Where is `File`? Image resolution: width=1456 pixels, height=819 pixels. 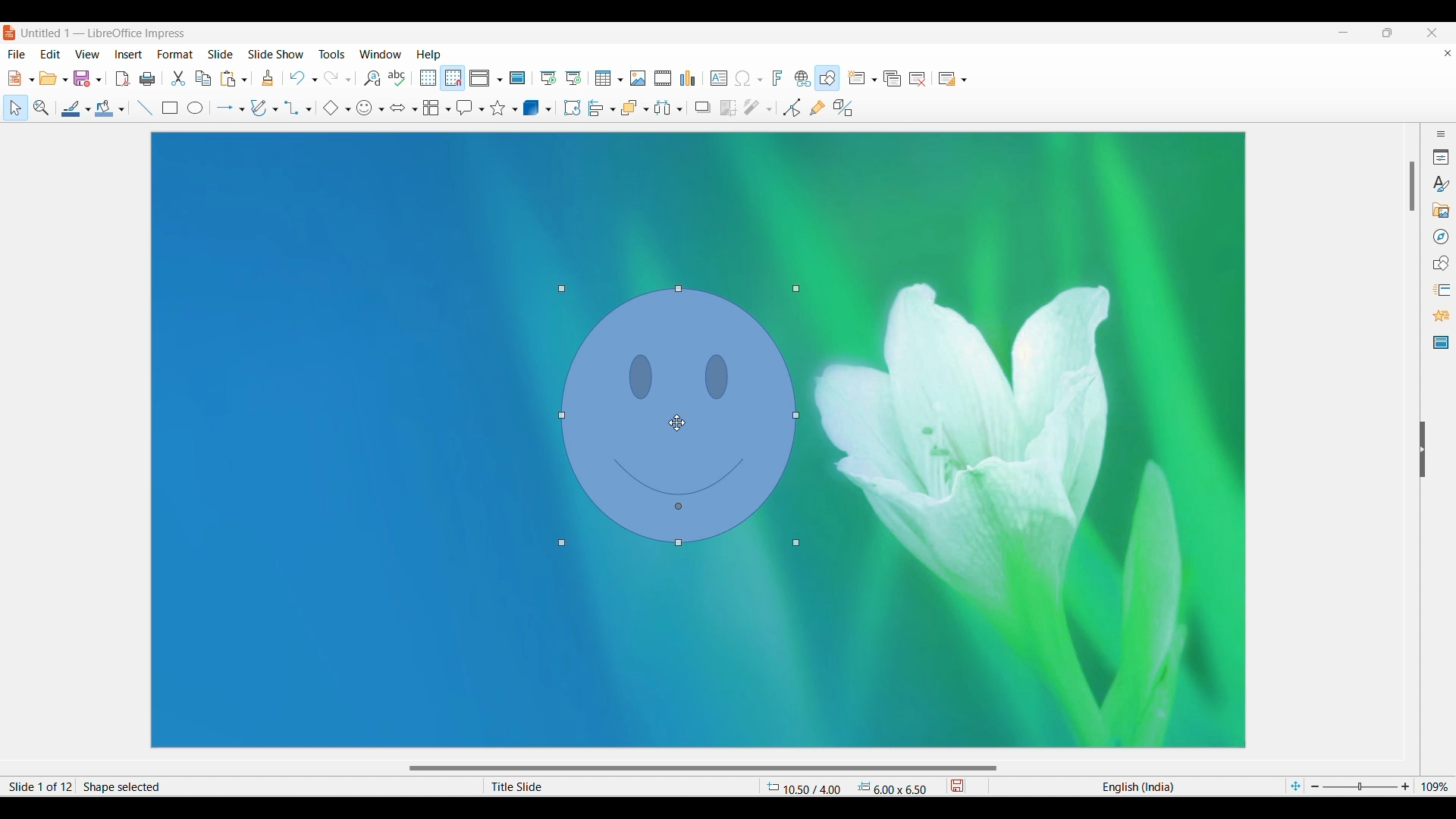
File is located at coordinates (17, 54).